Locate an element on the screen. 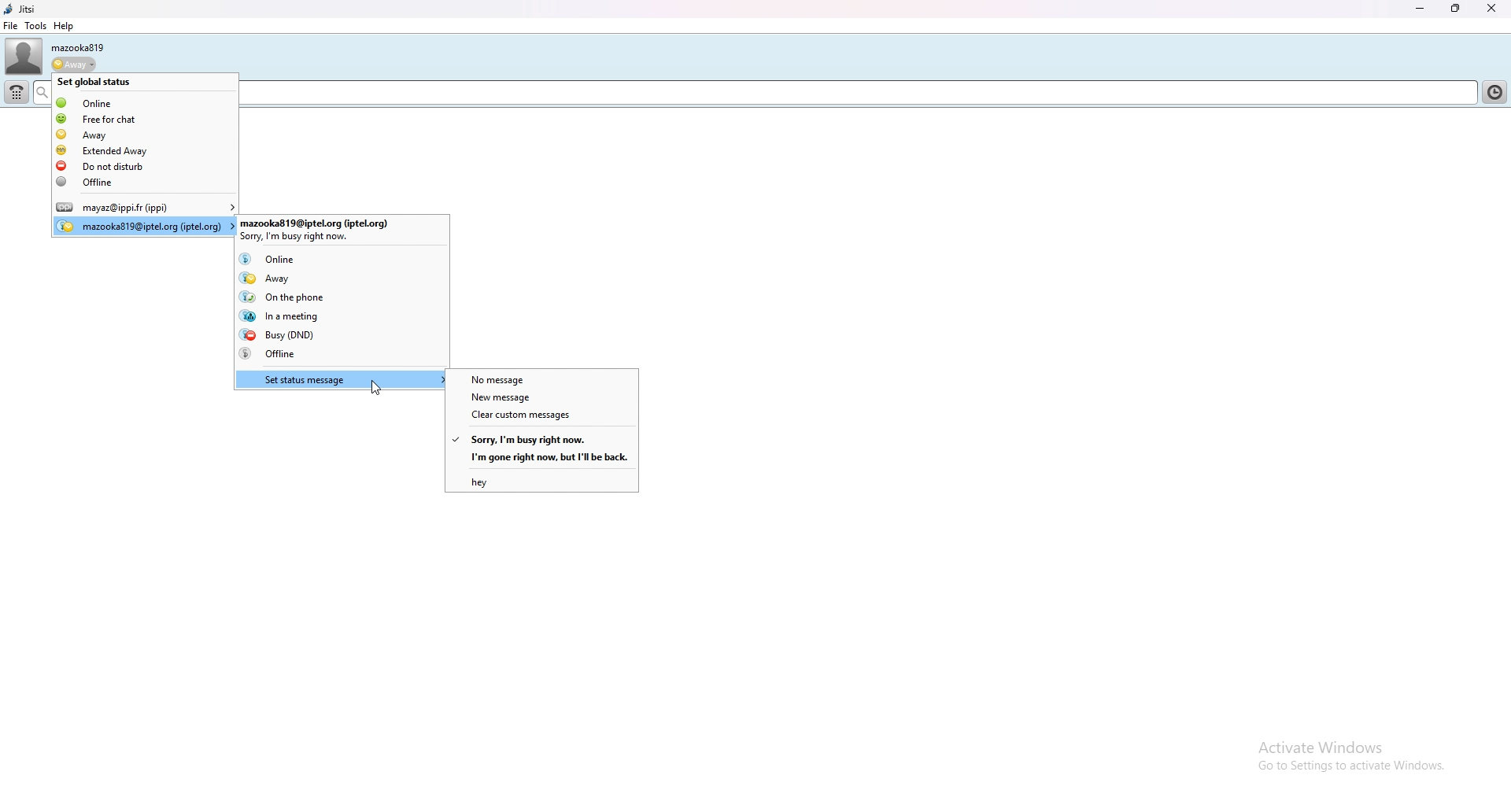  set status message is located at coordinates (342, 378).